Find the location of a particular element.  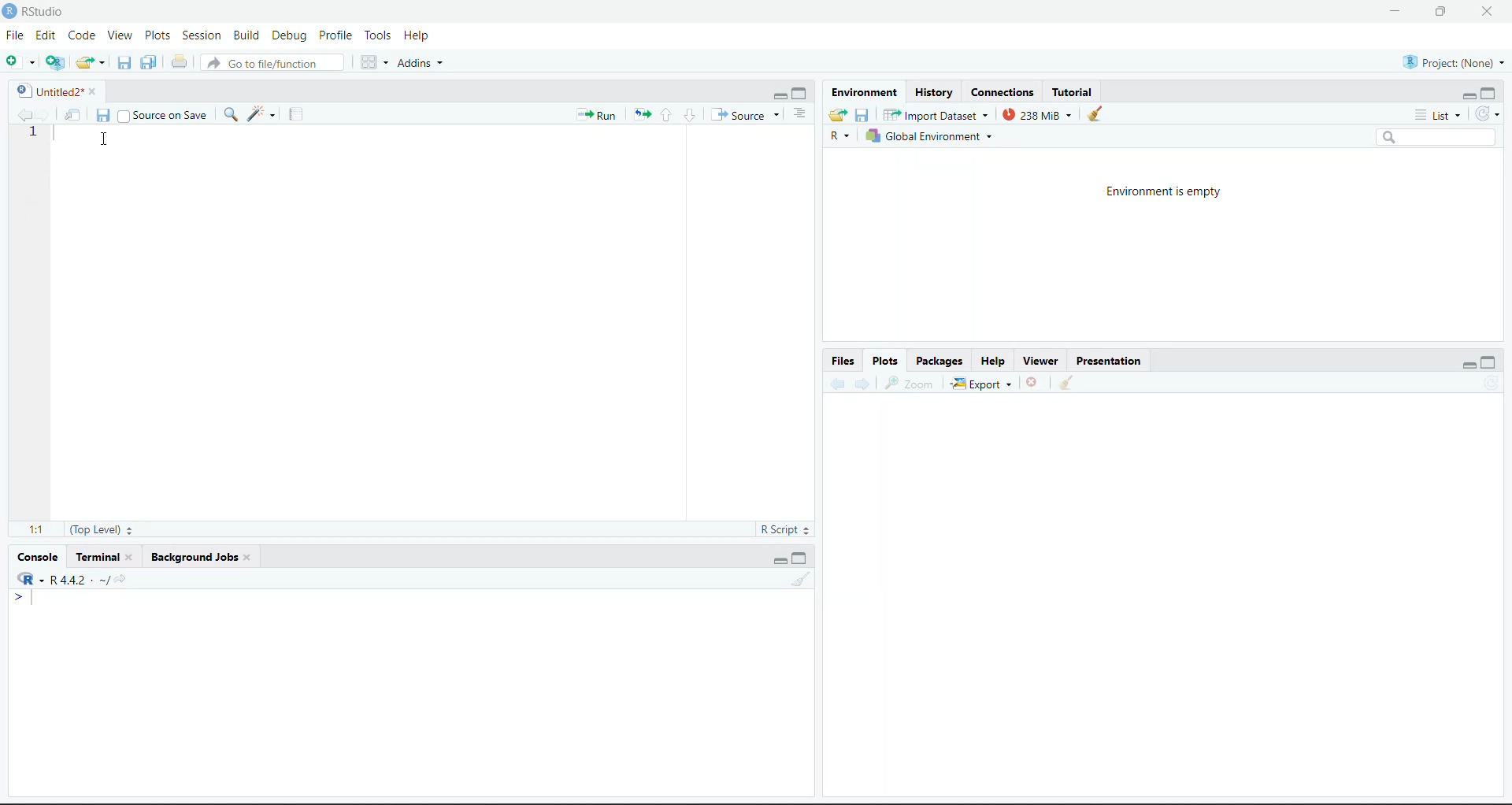

Tools is located at coordinates (380, 35).